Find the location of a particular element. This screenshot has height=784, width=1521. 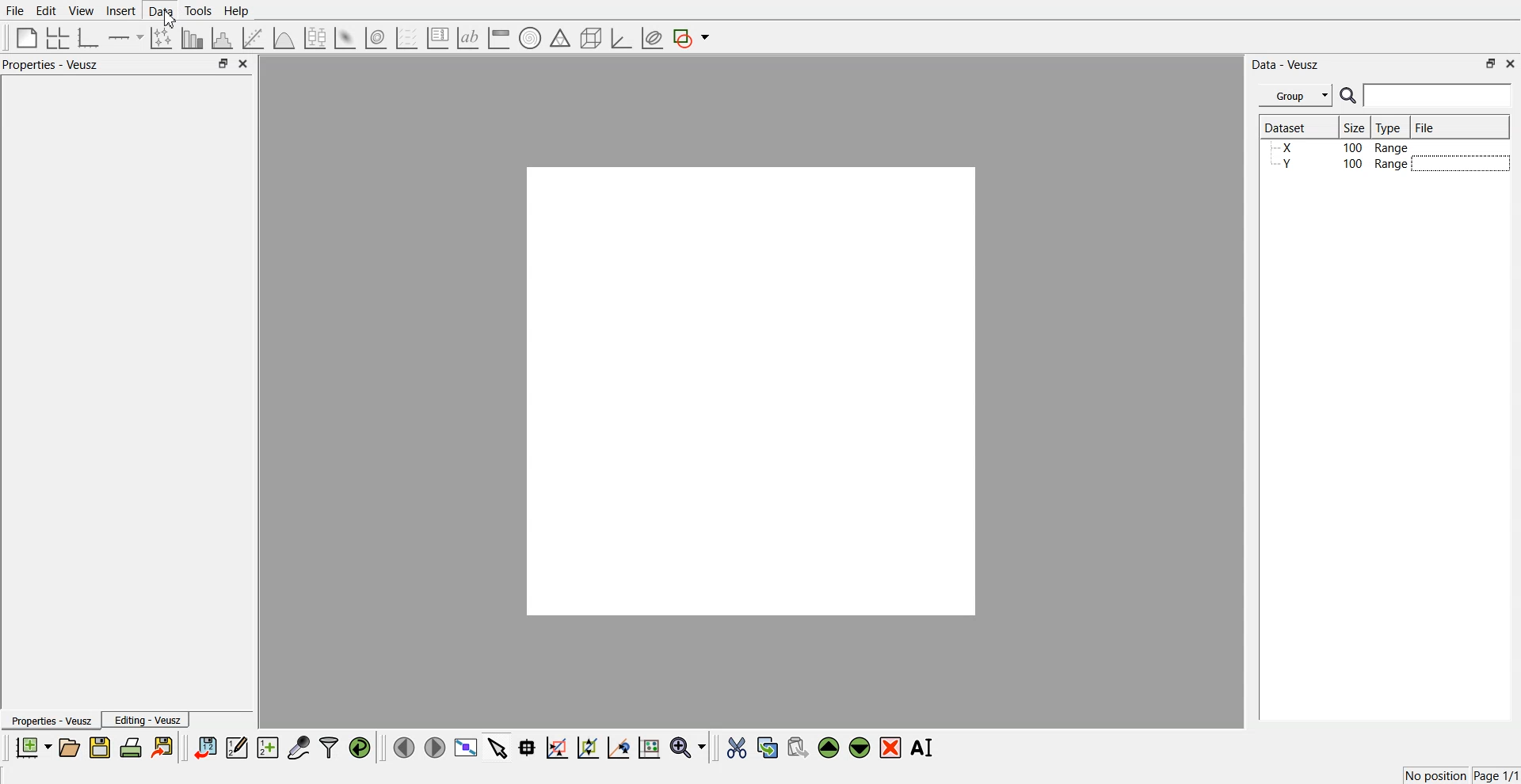

3D Function is located at coordinates (284, 38).